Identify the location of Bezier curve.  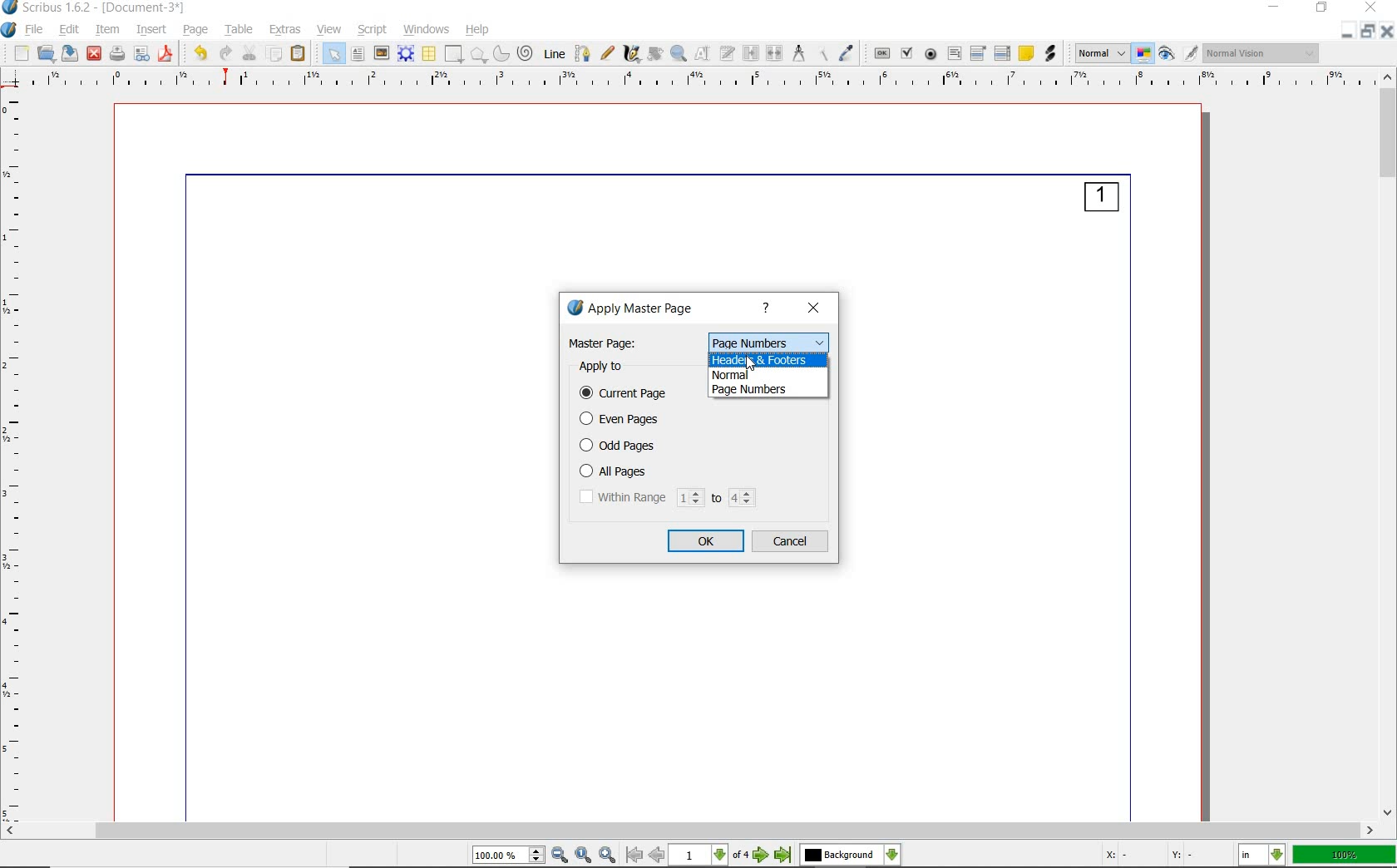
(582, 53).